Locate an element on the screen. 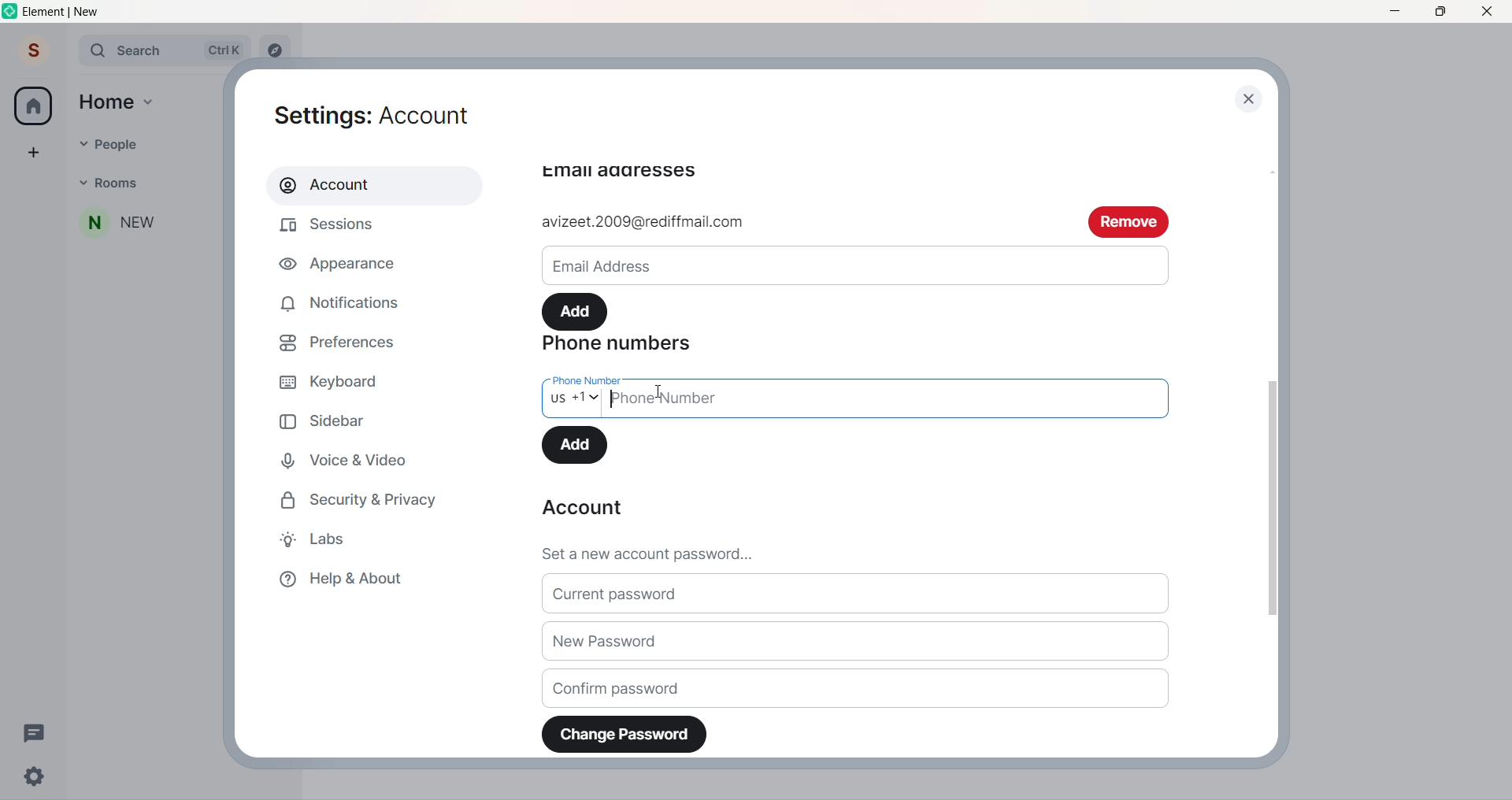 The width and height of the screenshot is (1512, 800). Keyboard is located at coordinates (340, 380).